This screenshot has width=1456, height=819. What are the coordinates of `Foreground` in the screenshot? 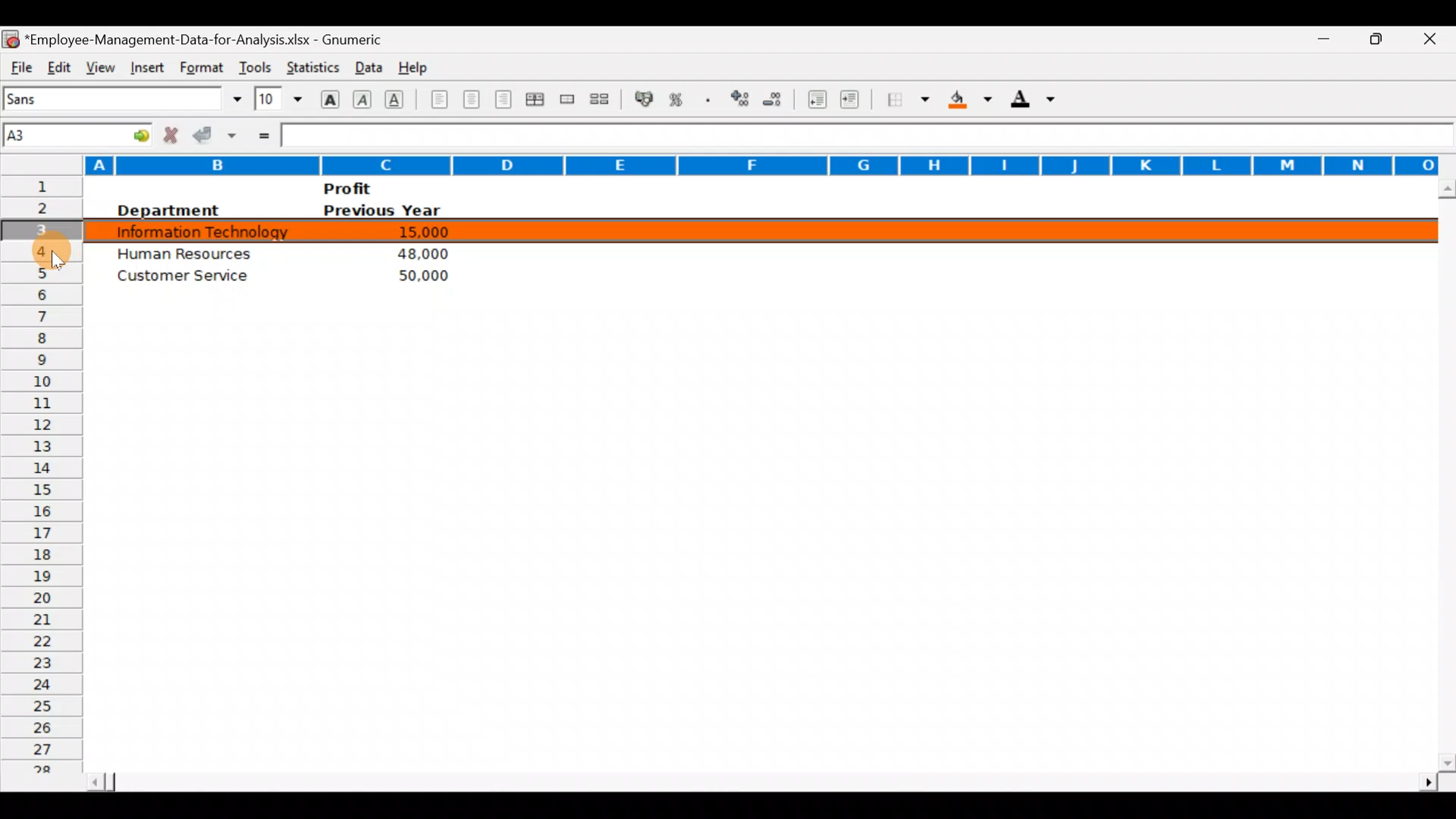 It's located at (1038, 104).